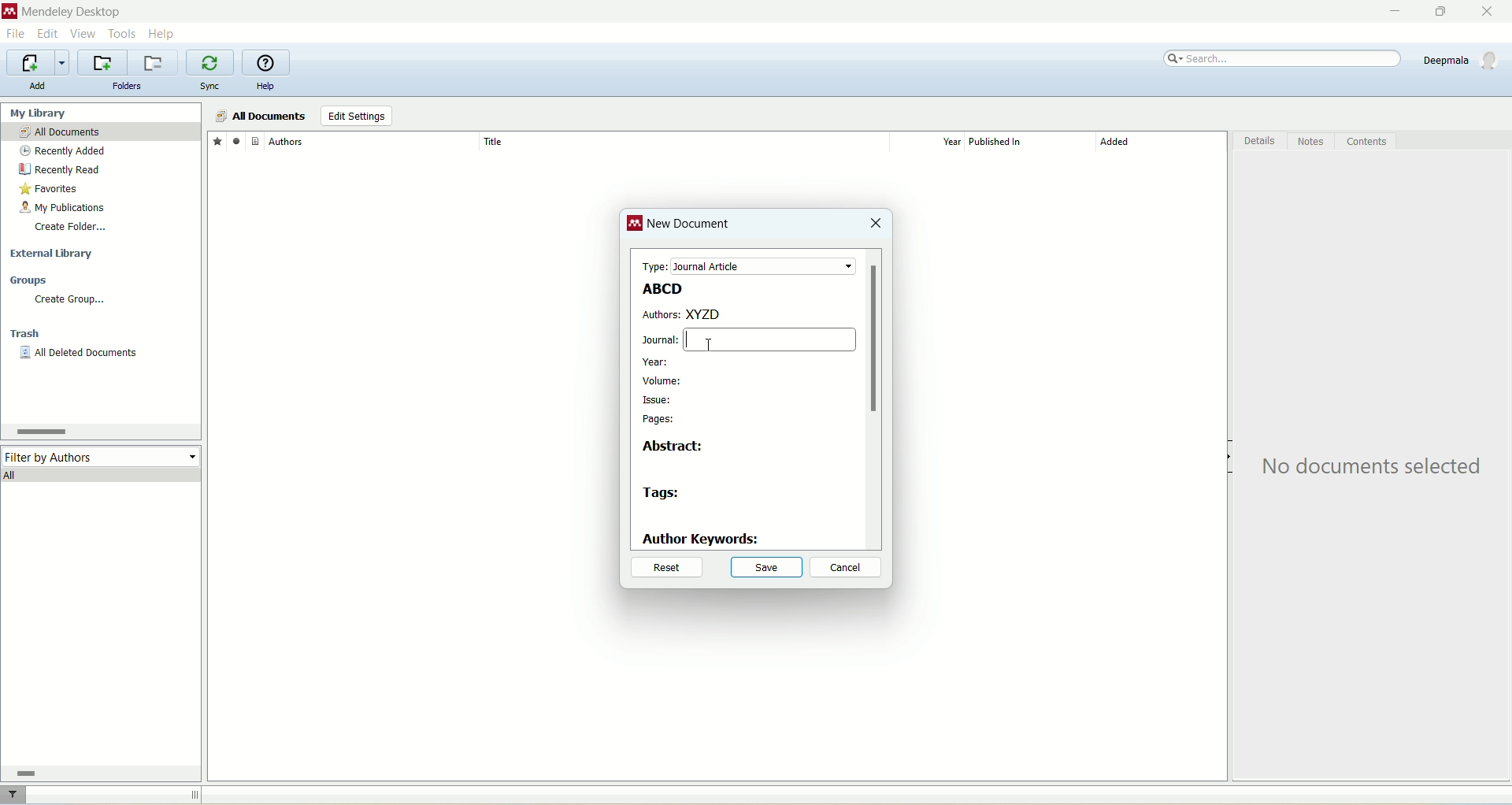 The image size is (1512, 805). I want to click on year, so click(932, 142).